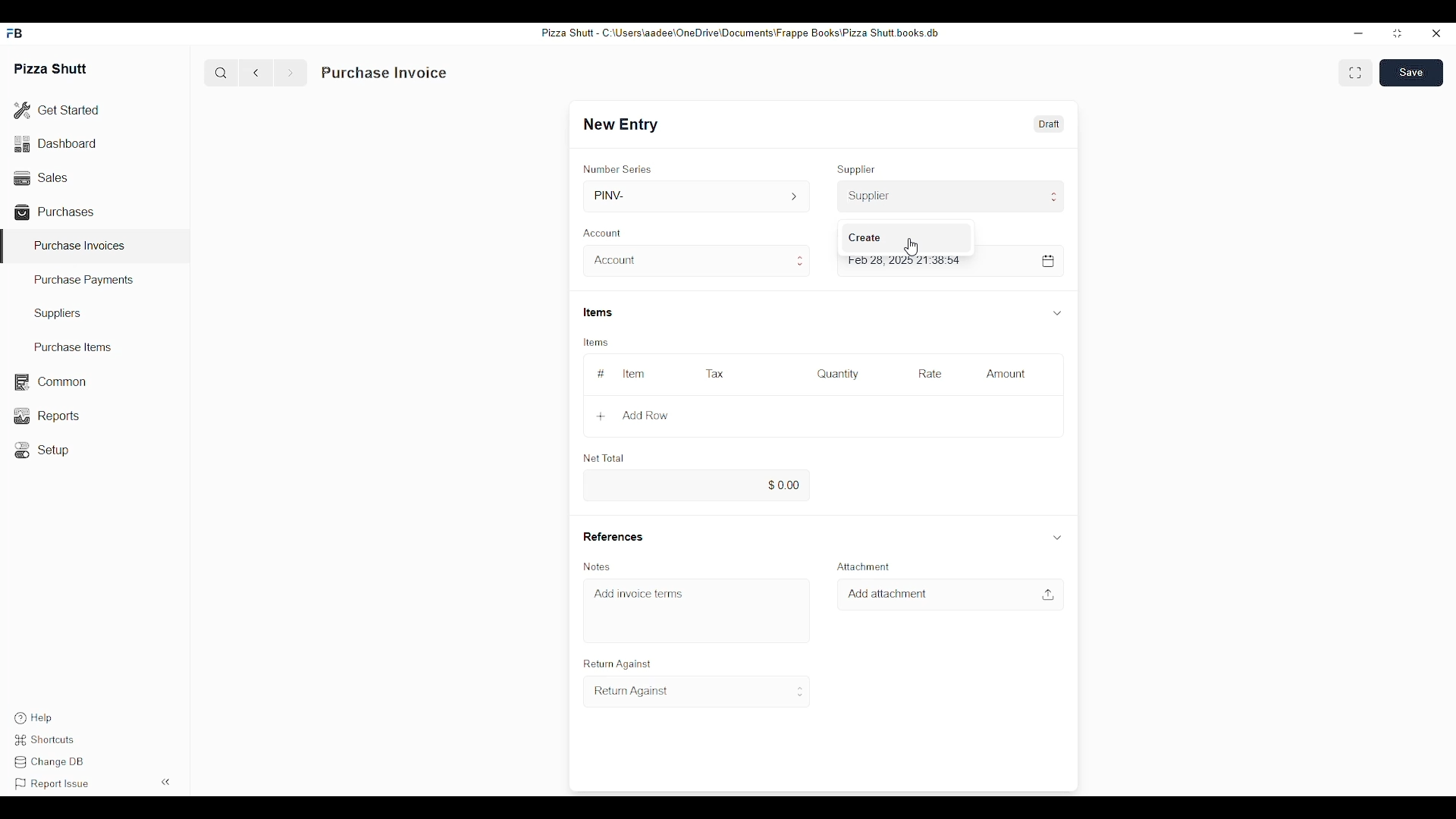 The width and height of the screenshot is (1456, 819). I want to click on Dashboard, so click(57, 143).